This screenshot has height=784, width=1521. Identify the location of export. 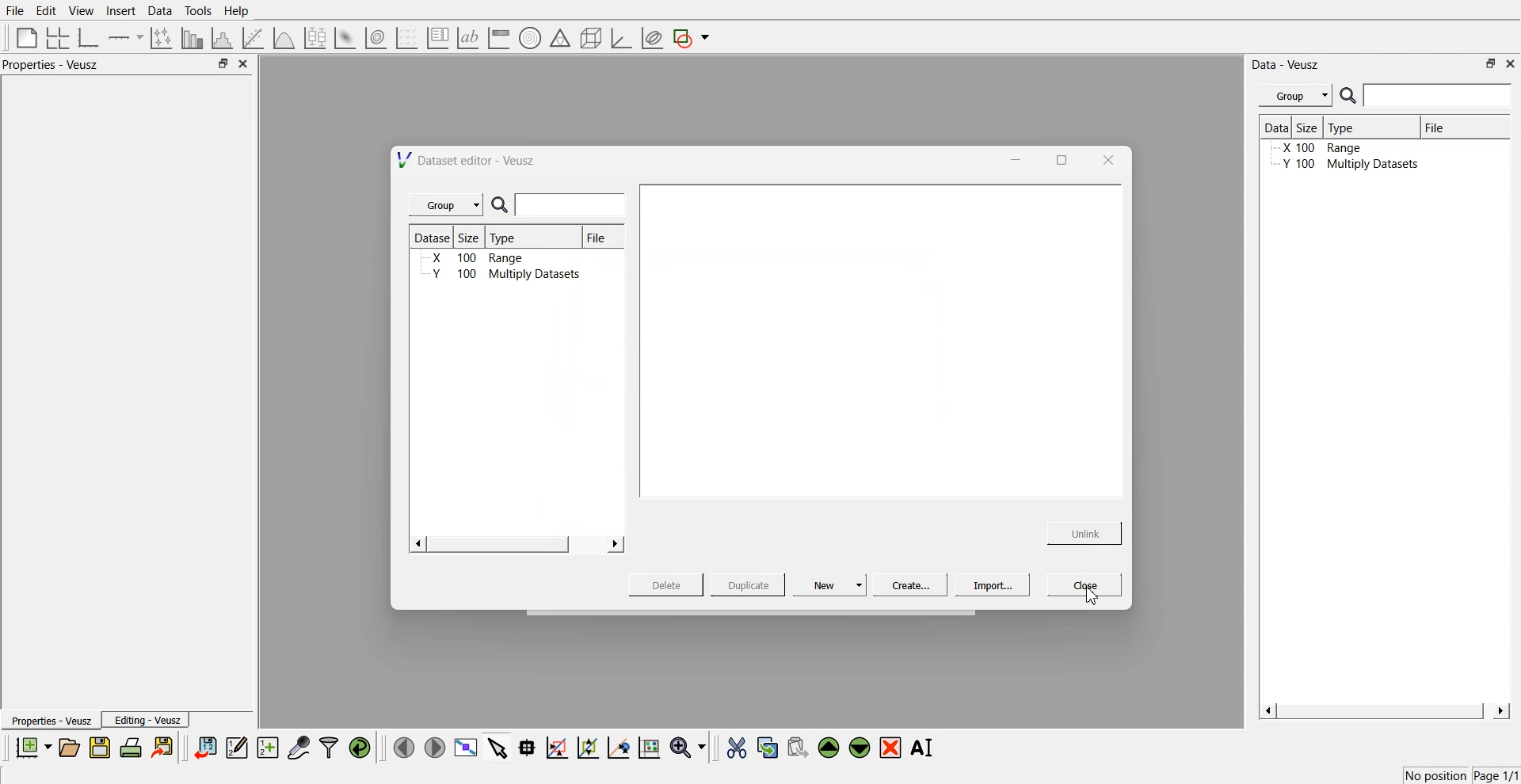
(164, 747).